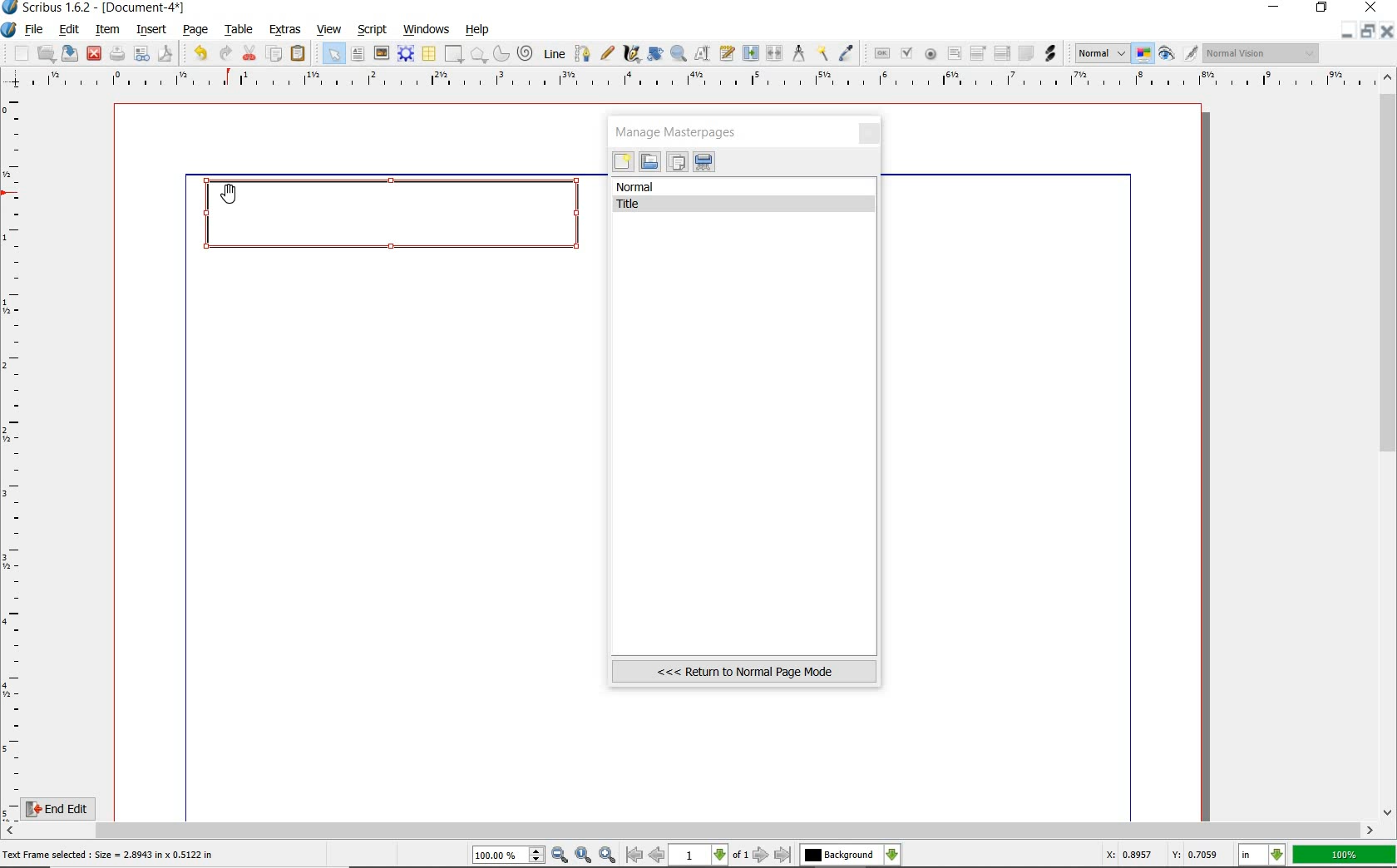 The image size is (1397, 868). What do you see at coordinates (871, 135) in the screenshot?
I see `close` at bounding box center [871, 135].